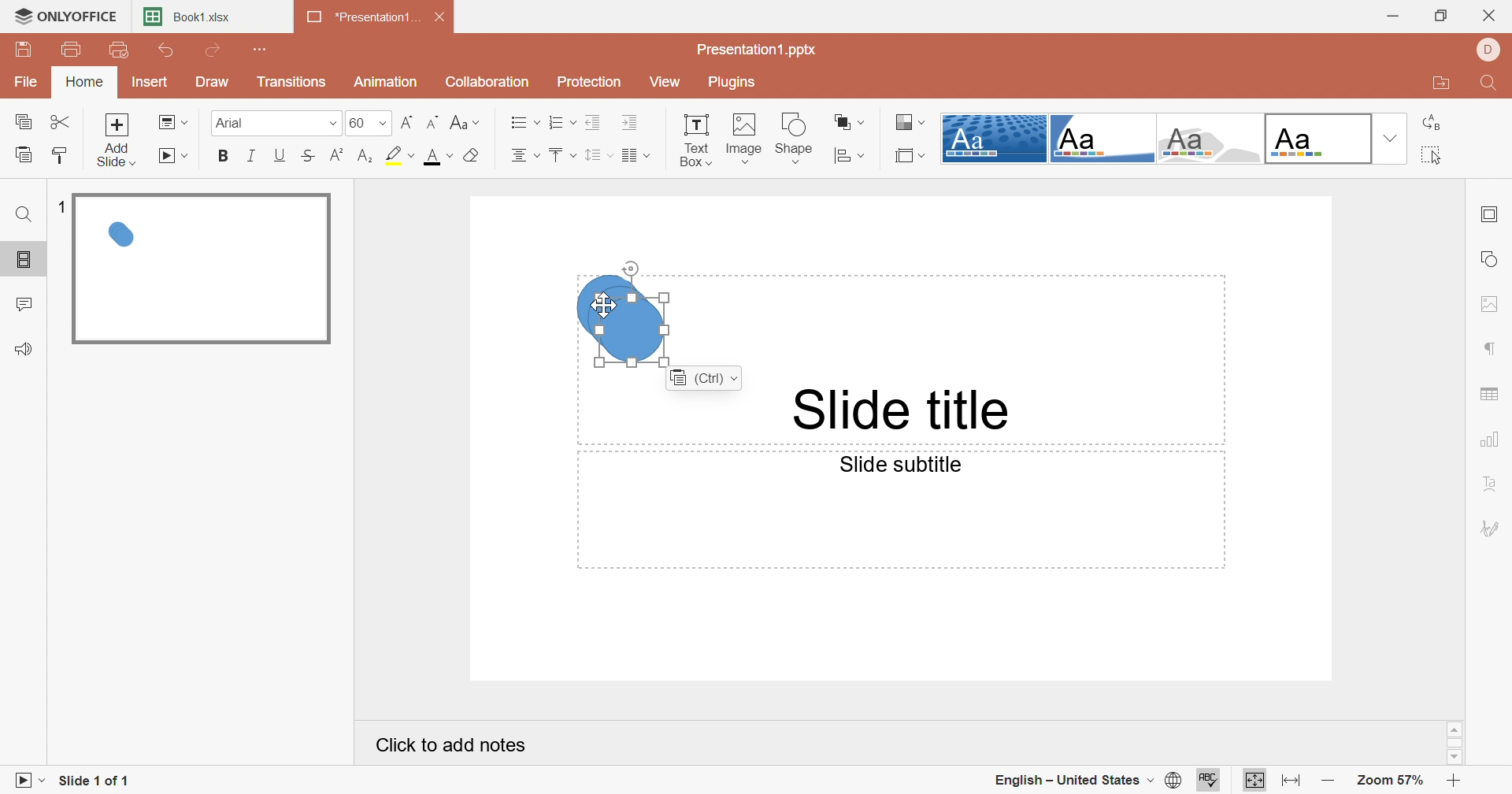 Image resolution: width=1512 pixels, height=794 pixels. Describe the element at coordinates (903, 464) in the screenshot. I see `Slide subtitle` at that location.